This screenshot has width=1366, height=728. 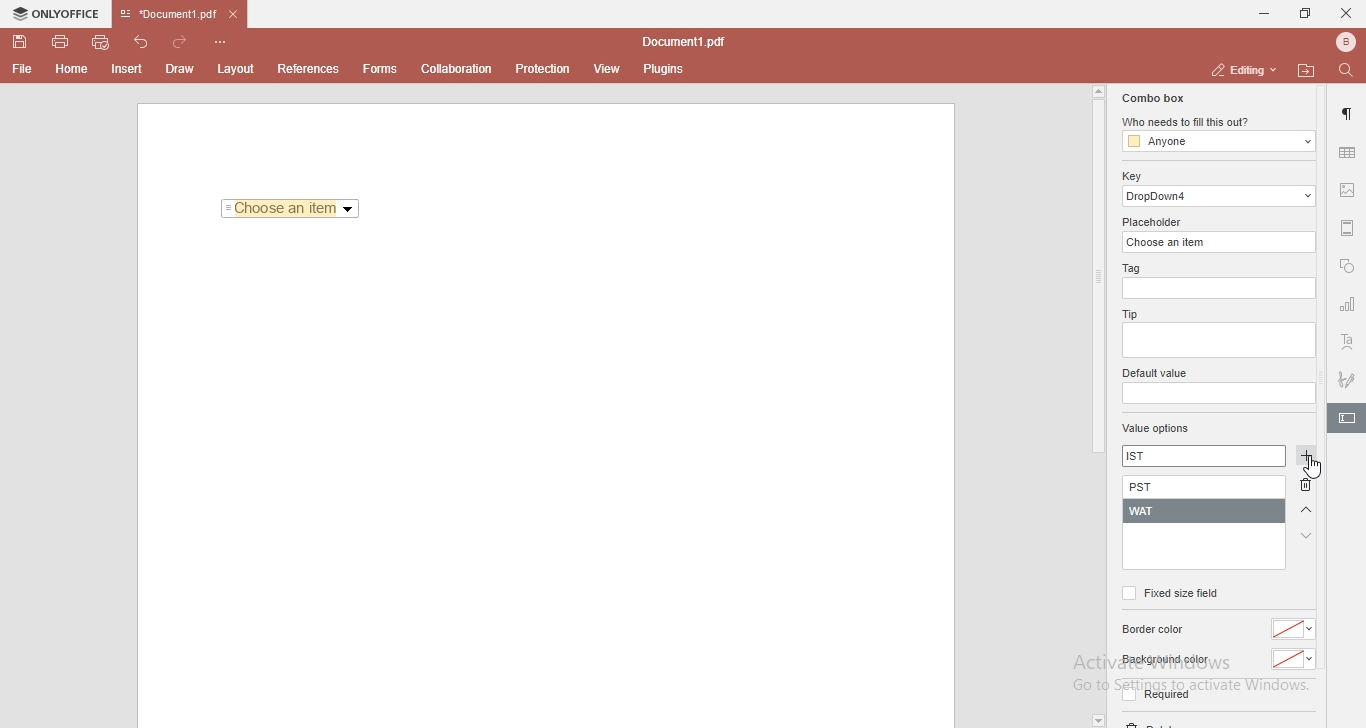 What do you see at coordinates (1097, 720) in the screenshot?
I see `dropdown` at bounding box center [1097, 720].